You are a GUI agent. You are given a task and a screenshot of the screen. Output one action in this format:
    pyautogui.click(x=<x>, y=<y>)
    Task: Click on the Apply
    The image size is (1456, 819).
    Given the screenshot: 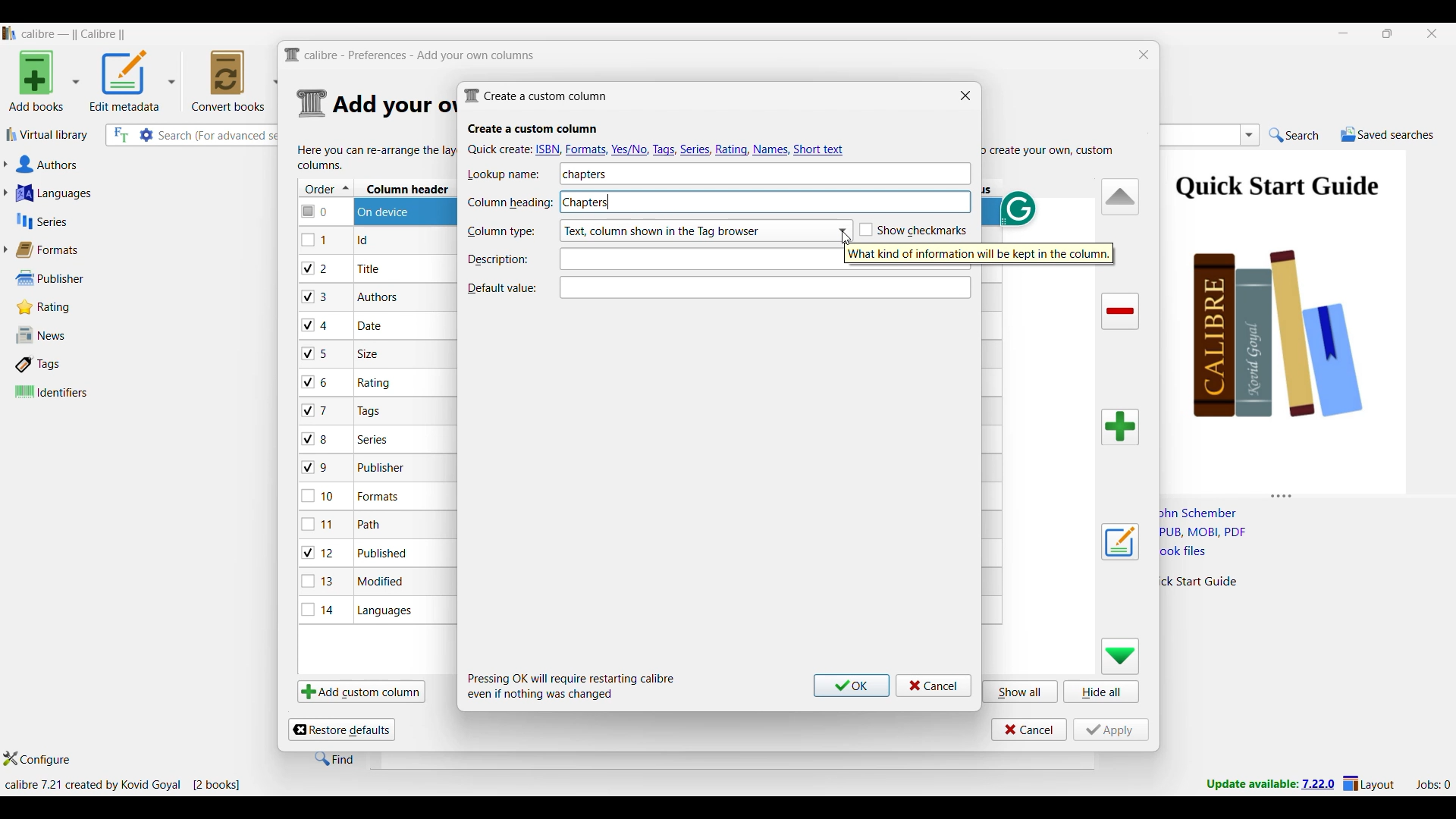 What is the action you would take?
    pyautogui.click(x=1111, y=730)
    